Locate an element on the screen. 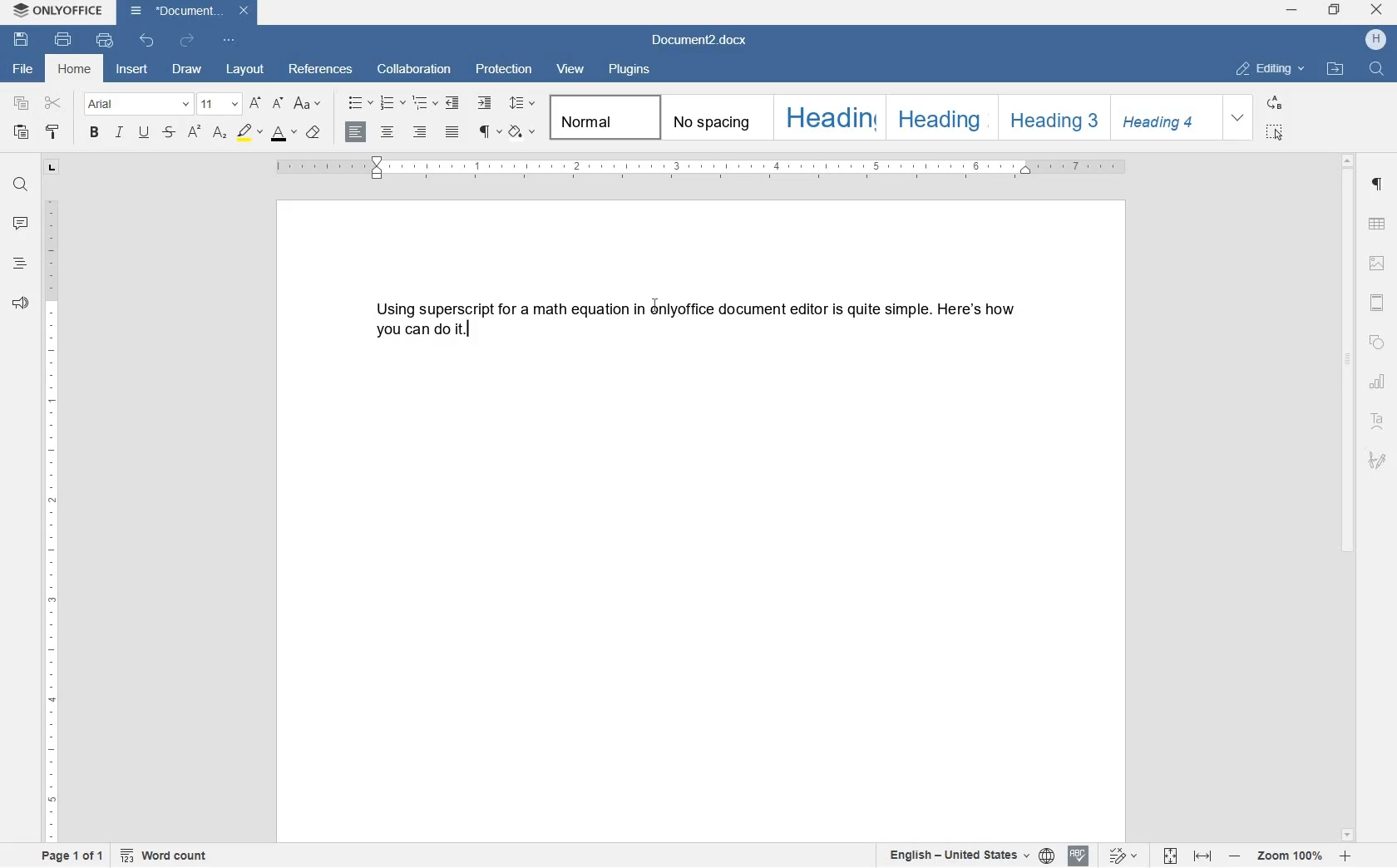 Image resolution: width=1397 pixels, height=868 pixels. decrement font size is located at coordinates (278, 102).